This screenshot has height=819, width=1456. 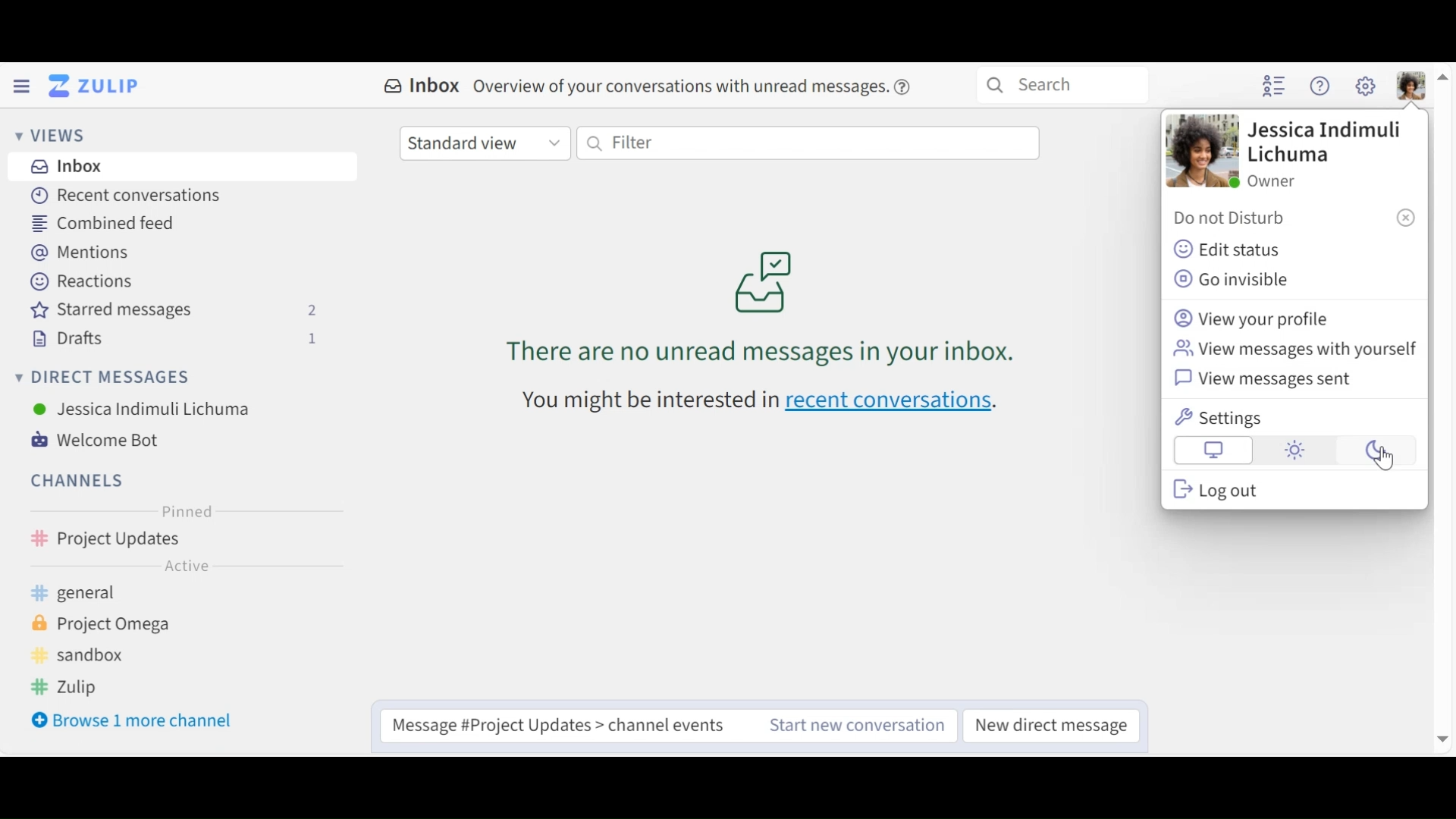 I want to click on View your profile, so click(x=1254, y=318).